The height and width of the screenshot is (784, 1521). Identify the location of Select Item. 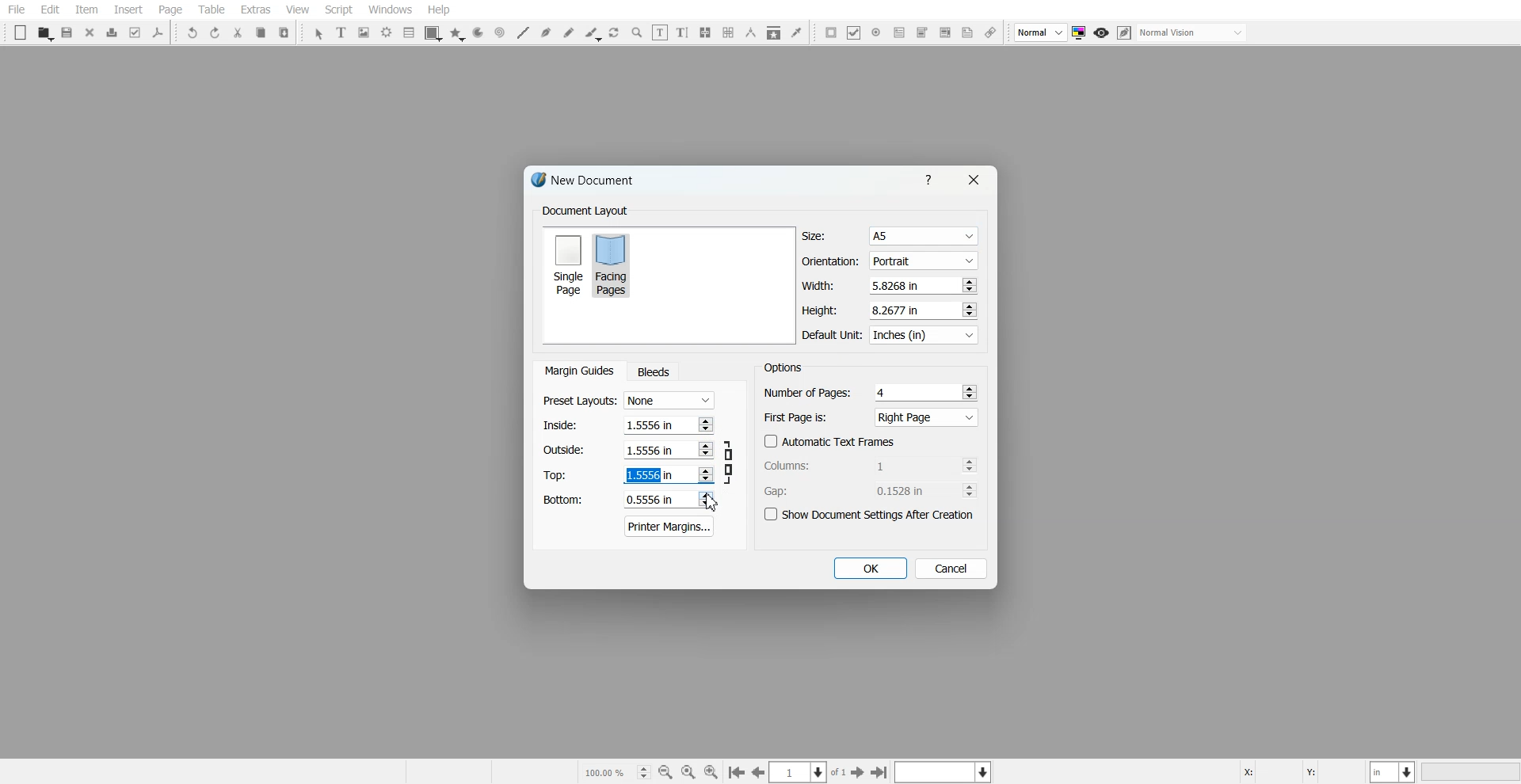
(318, 34).